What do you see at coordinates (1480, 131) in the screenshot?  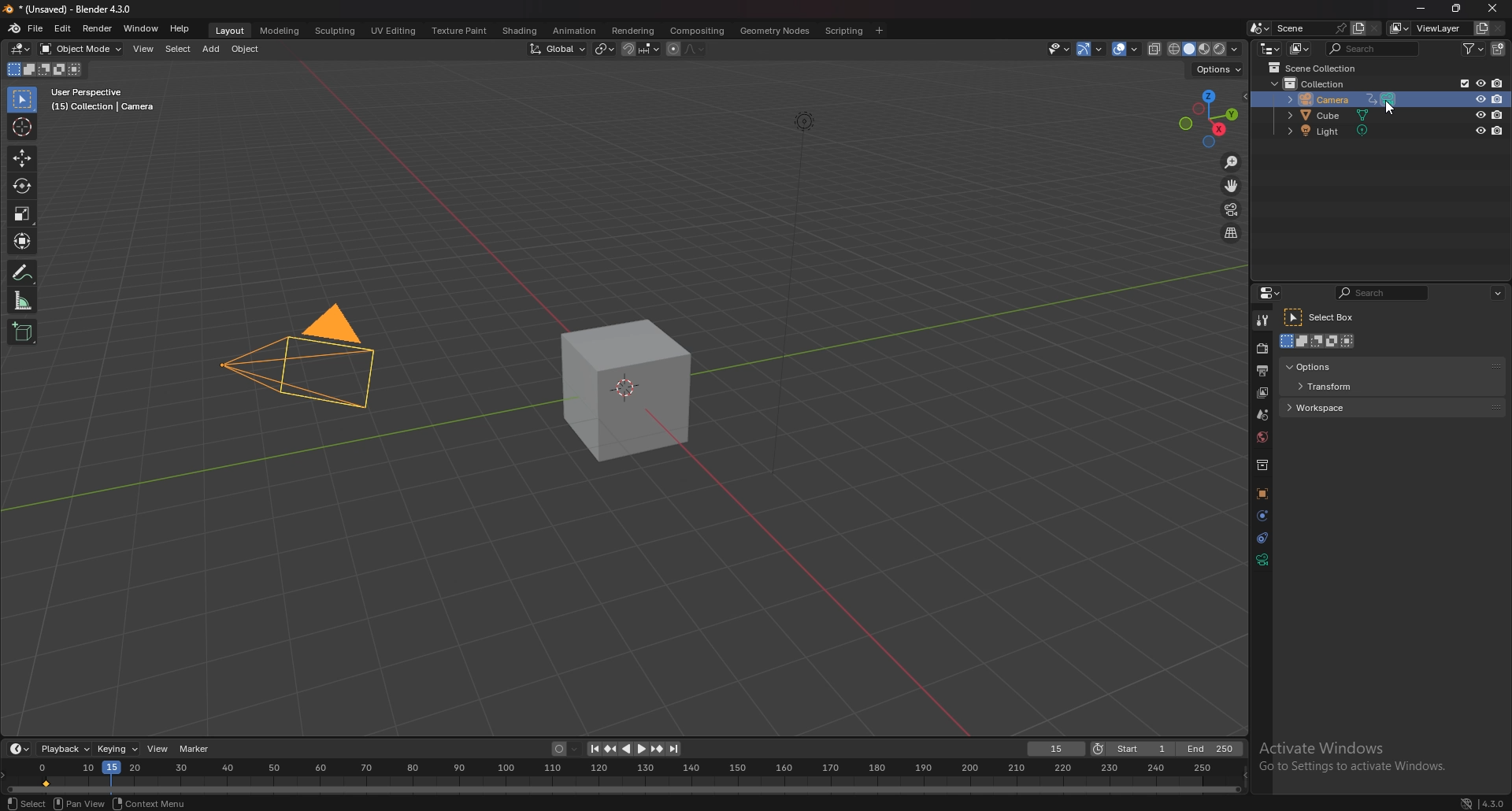 I see `hide in viewport` at bounding box center [1480, 131].